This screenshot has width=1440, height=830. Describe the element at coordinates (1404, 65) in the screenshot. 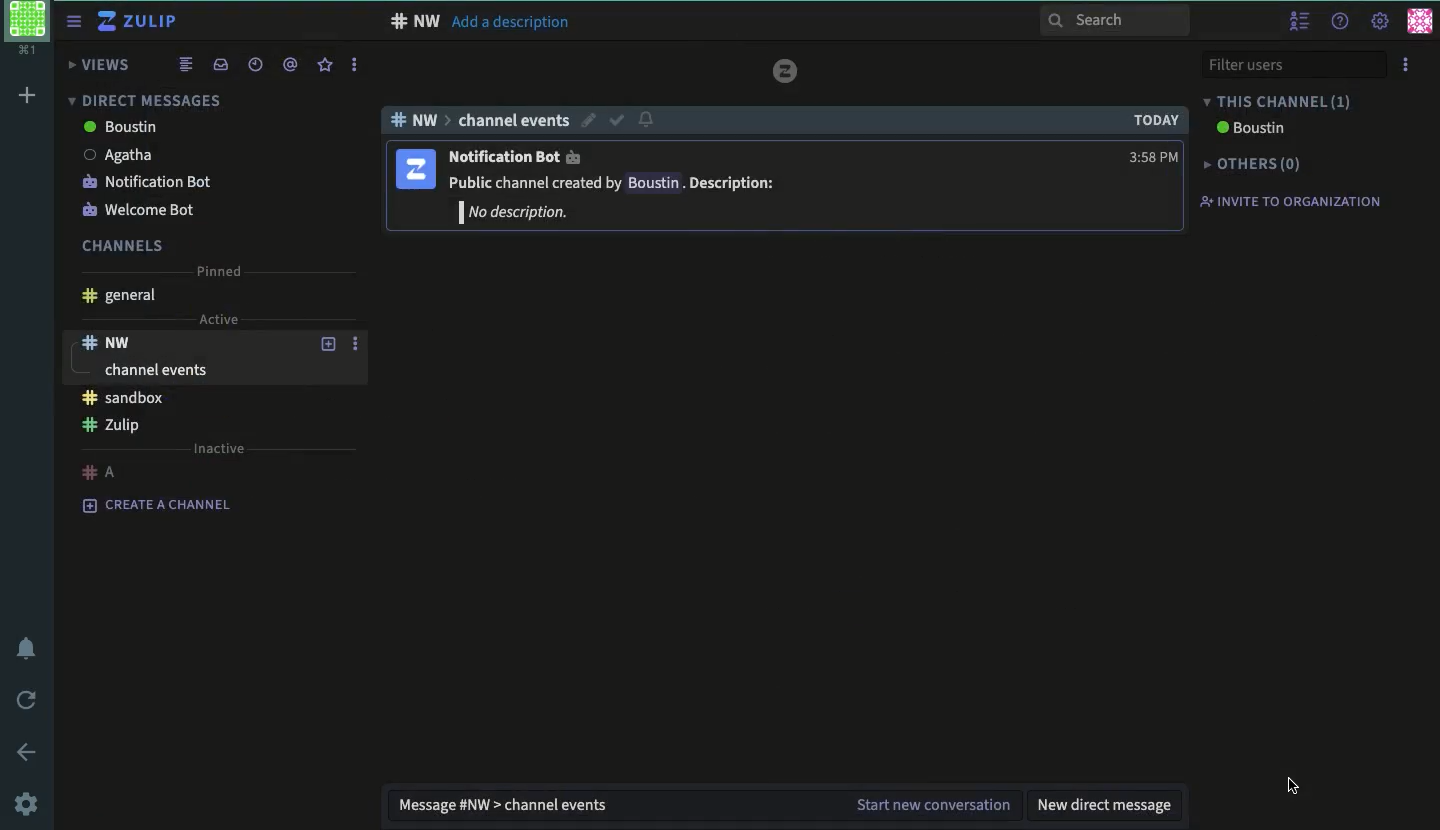

I see `options` at that location.